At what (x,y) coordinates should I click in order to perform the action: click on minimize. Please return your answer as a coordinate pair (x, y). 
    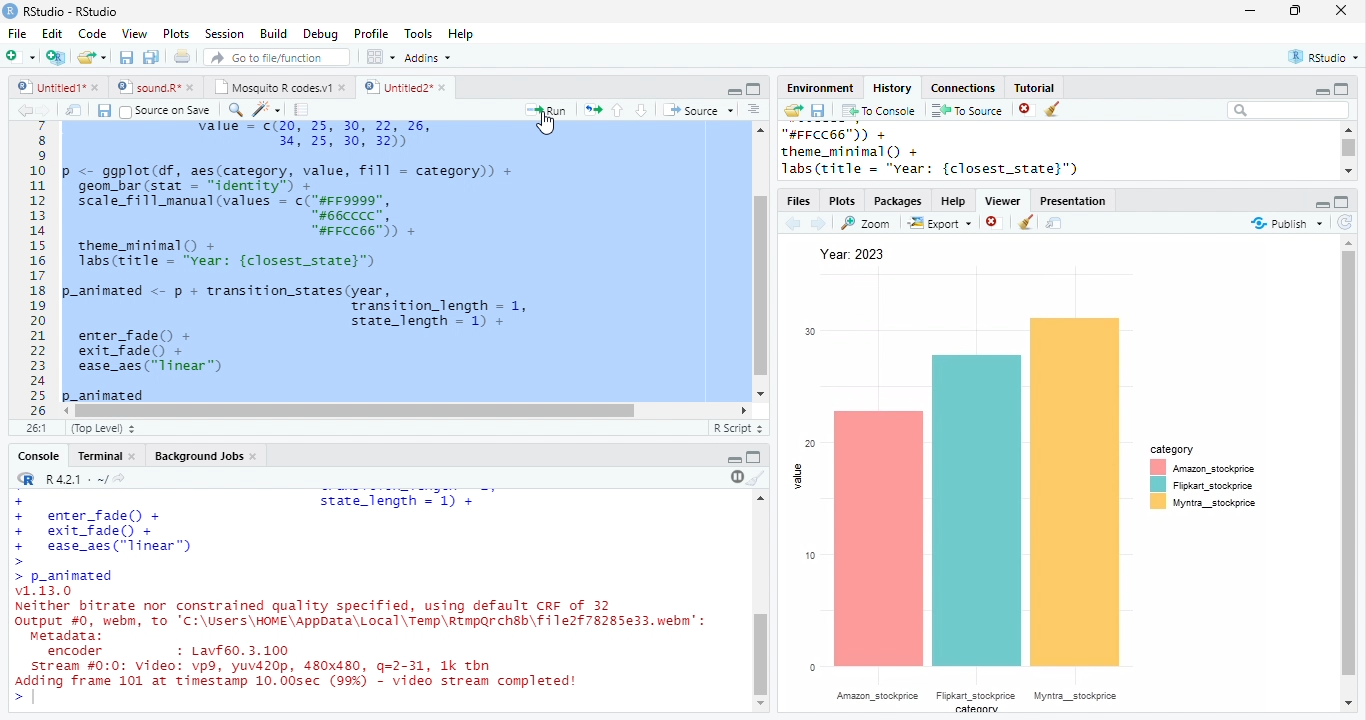
    Looking at the image, I should click on (1321, 91).